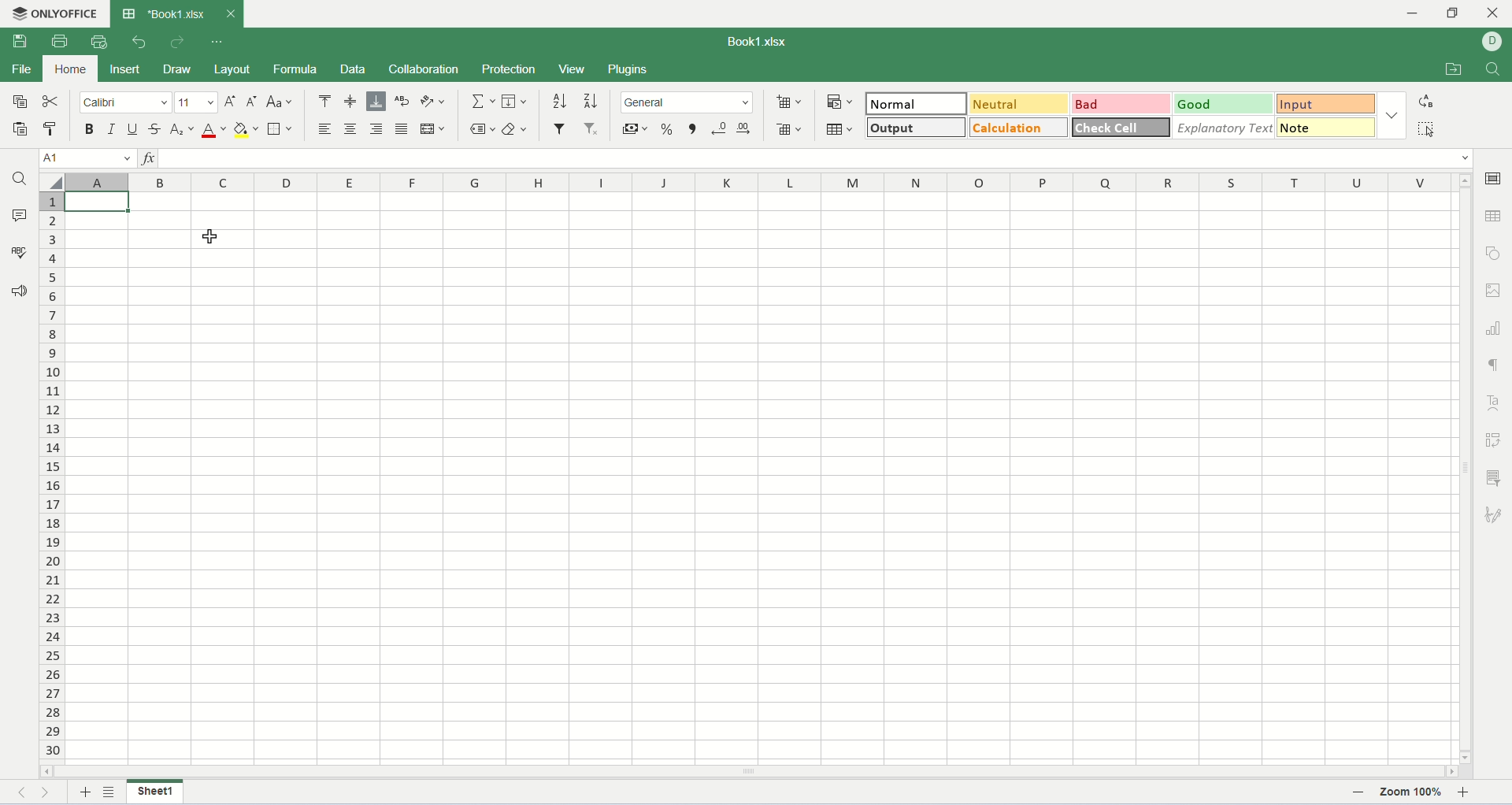 This screenshot has height=805, width=1512. What do you see at coordinates (211, 130) in the screenshot?
I see `font color` at bounding box center [211, 130].